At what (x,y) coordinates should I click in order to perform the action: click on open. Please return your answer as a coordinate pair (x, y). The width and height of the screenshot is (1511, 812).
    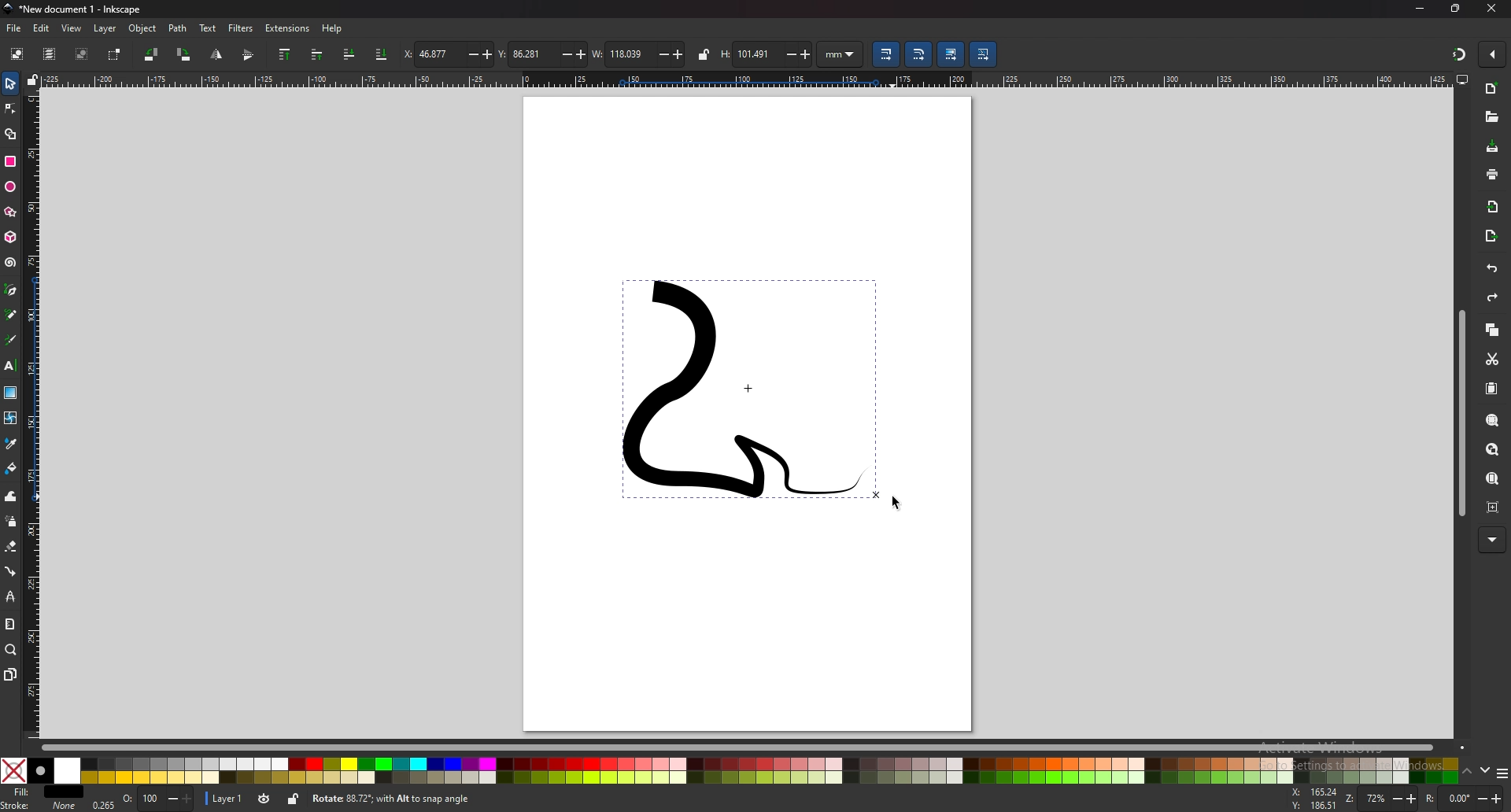
    Looking at the image, I should click on (1490, 116).